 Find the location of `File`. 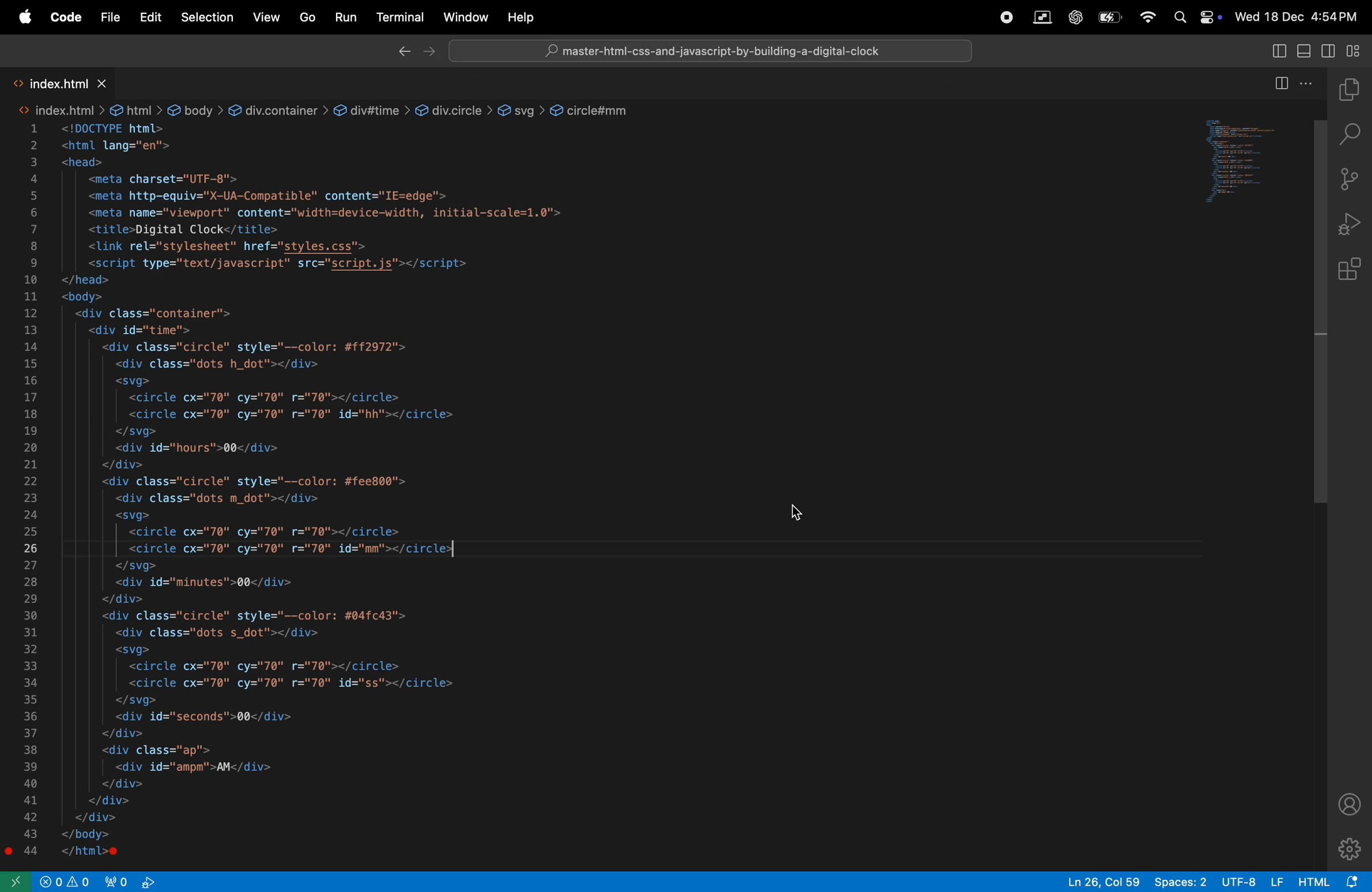

File is located at coordinates (109, 18).